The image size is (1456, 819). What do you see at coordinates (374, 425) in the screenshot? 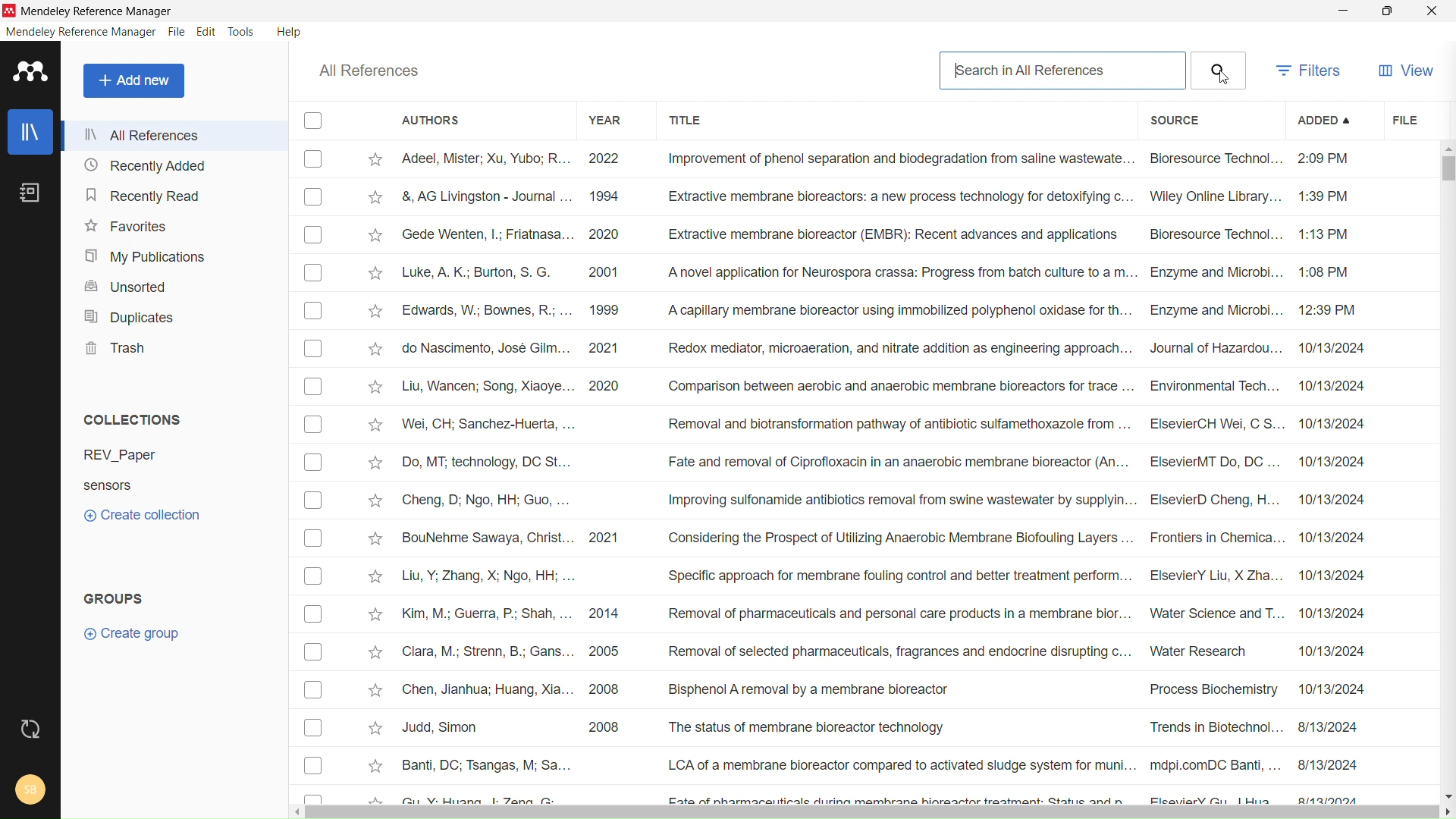
I see `Add to favorites` at bounding box center [374, 425].